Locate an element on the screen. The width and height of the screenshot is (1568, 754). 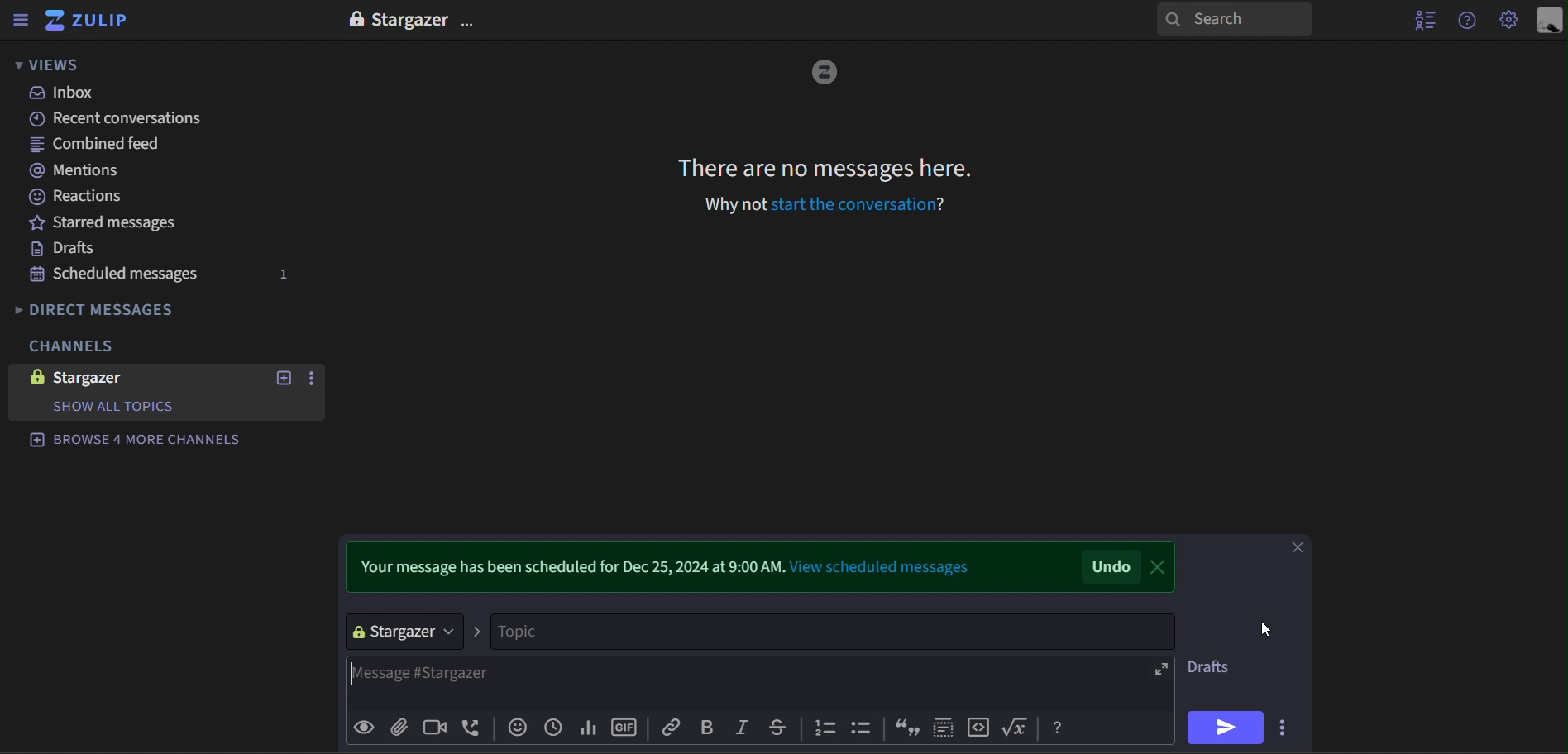
your message  has been scheduled for Dec 25,2024 at 9:00 AM is located at coordinates (567, 563).